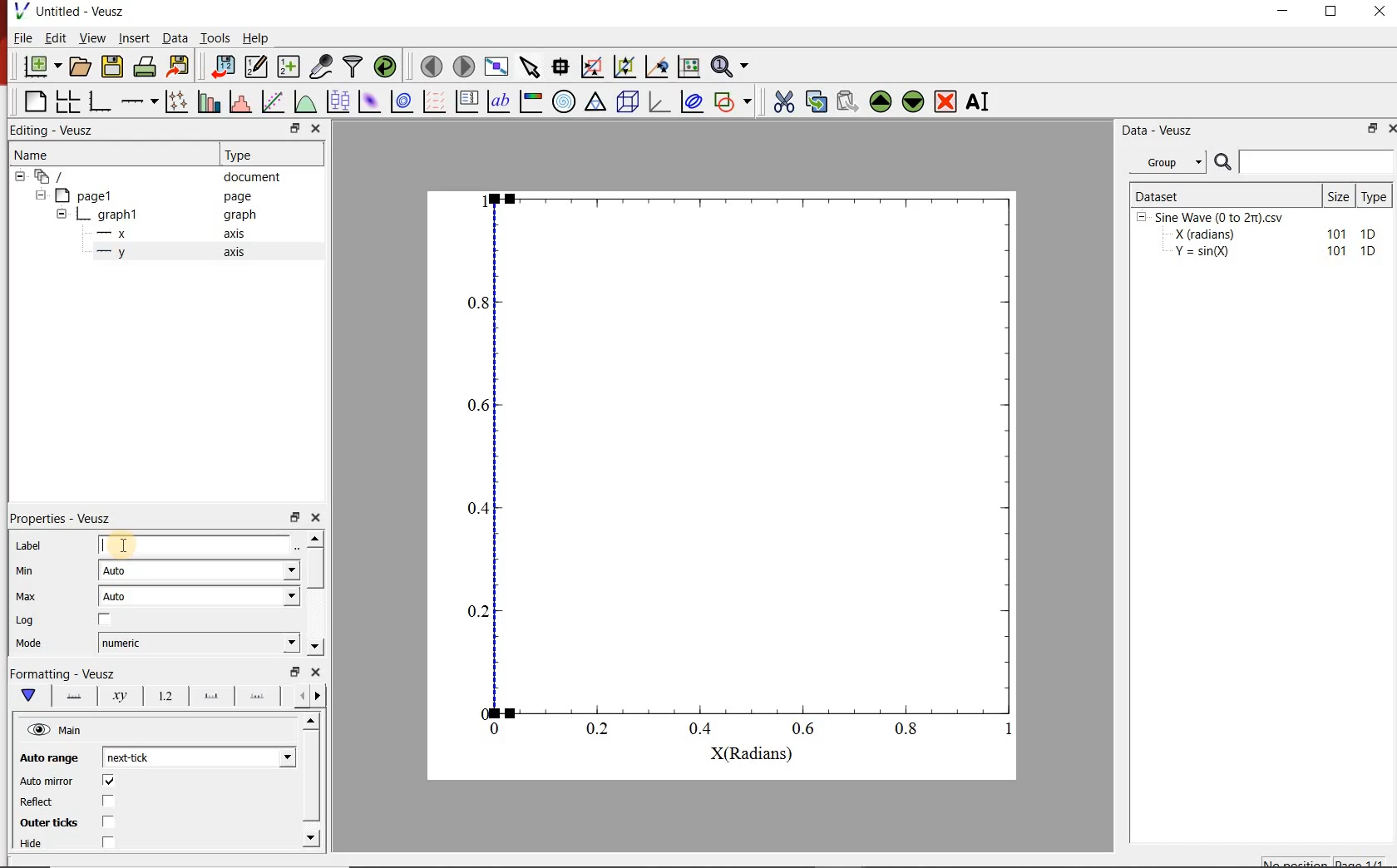 This screenshot has width=1397, height=868. I want to click on Move left, so click(299, 695).